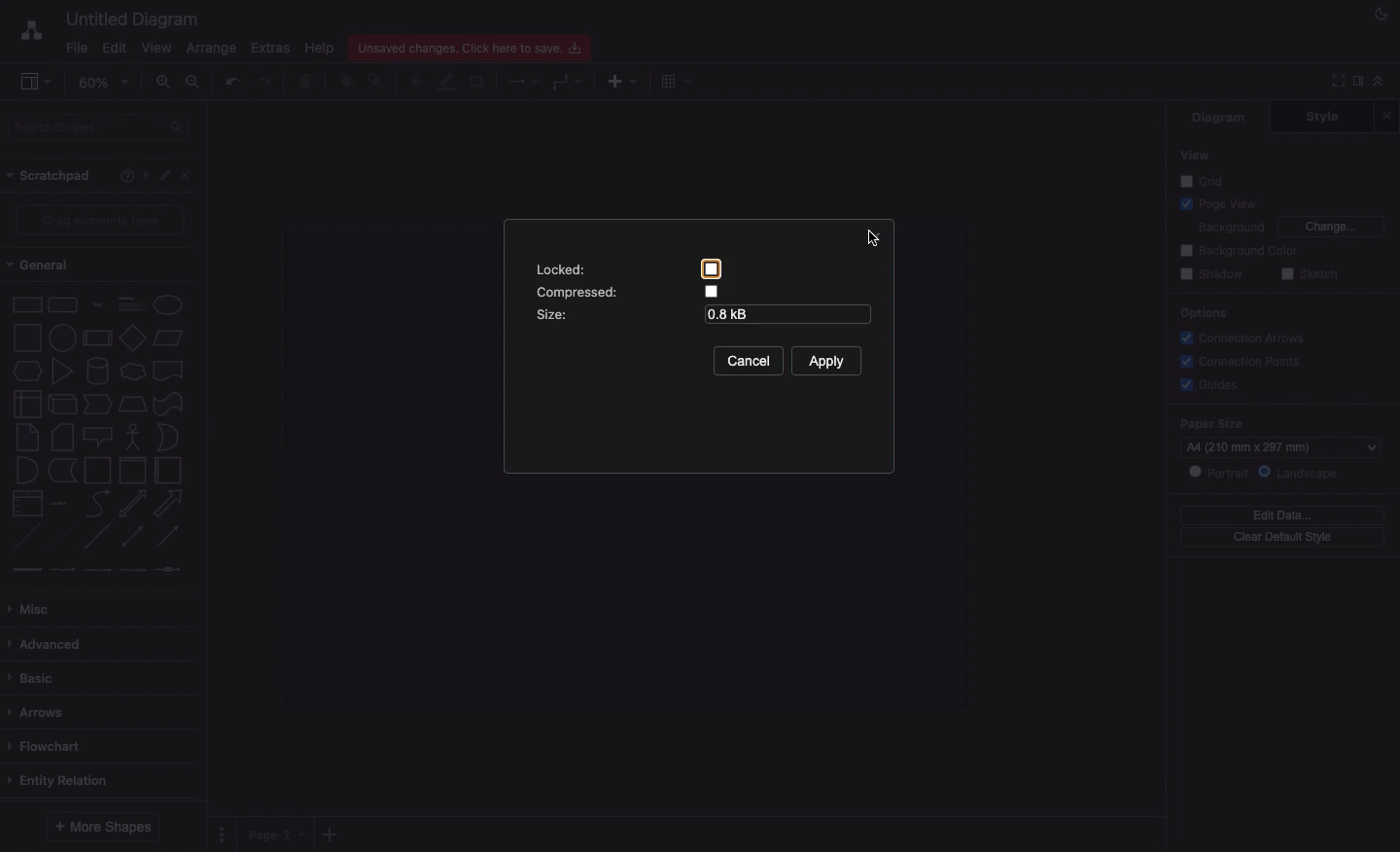 The image size is (1400, 852). Describe the element at coordinates (1217, 472) in the screenshot. I see `Portrait` at that location.